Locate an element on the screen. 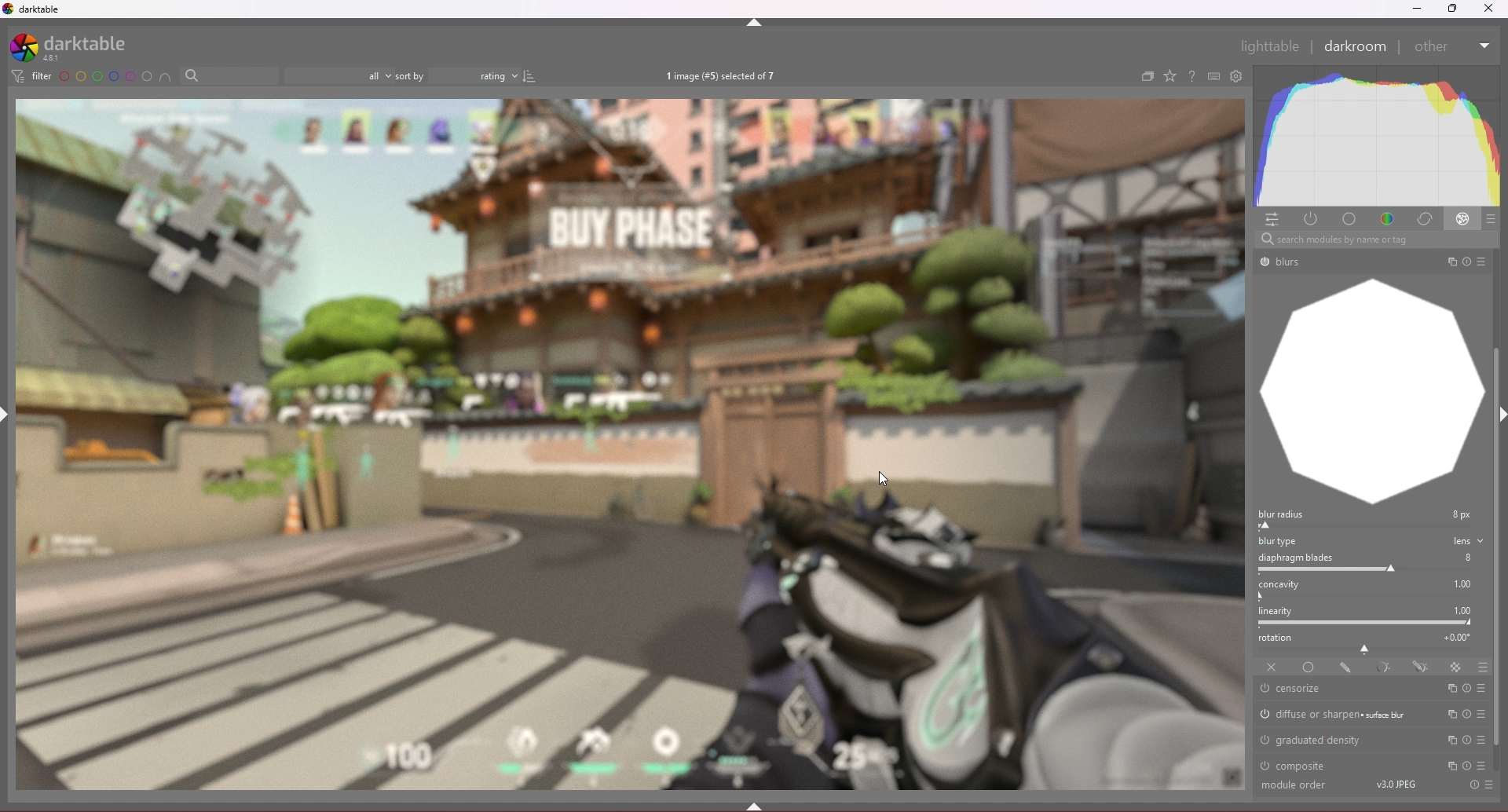  concavity is located at coordinates (1371, 590).